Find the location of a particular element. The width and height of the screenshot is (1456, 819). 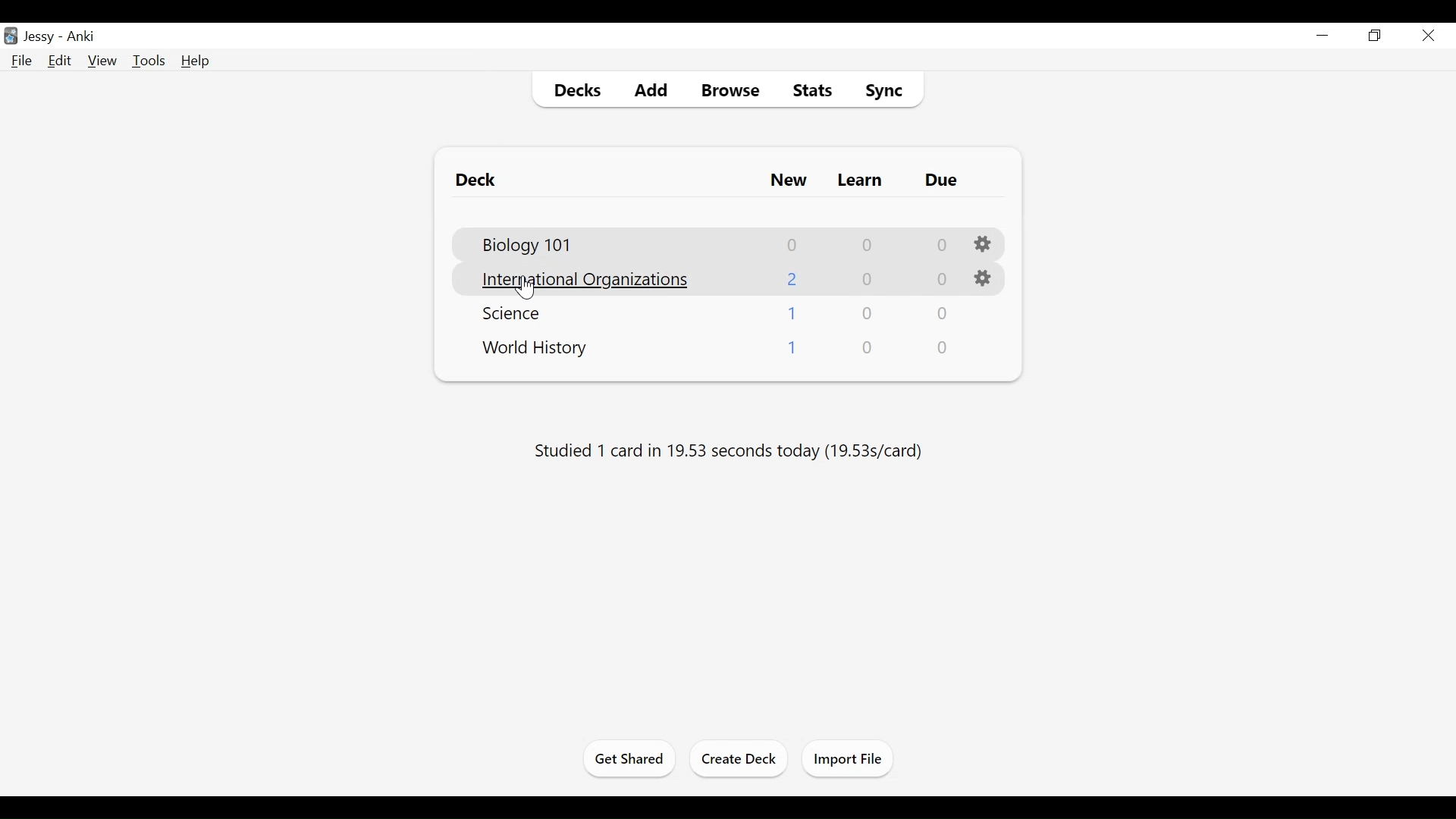

User Nmae is located at coordinates (42, 38).